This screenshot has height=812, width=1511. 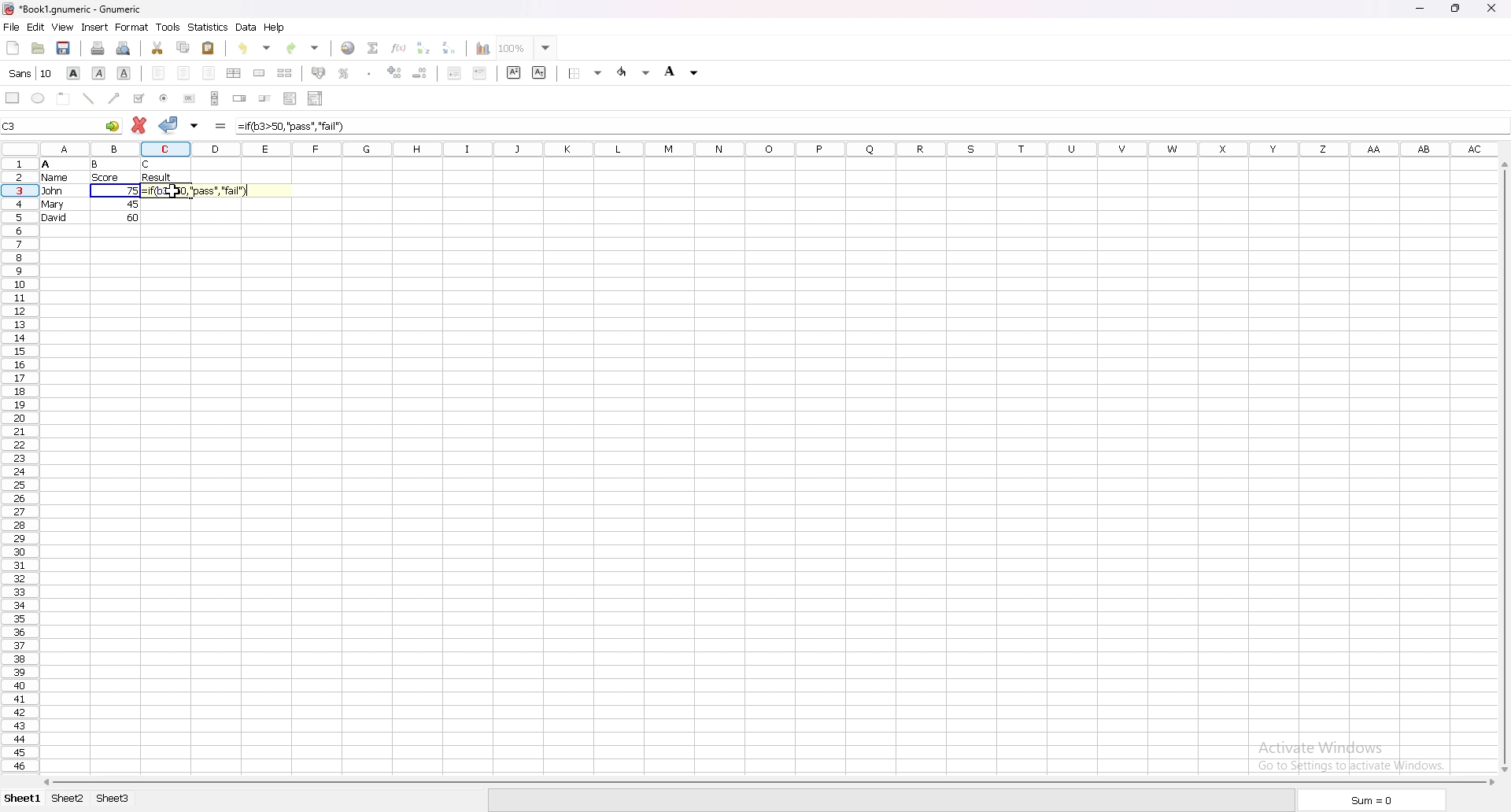 What do you see at coordinates (61, 125) in the screenshot?
I see `selected cell` at bounding box center [61, 125].